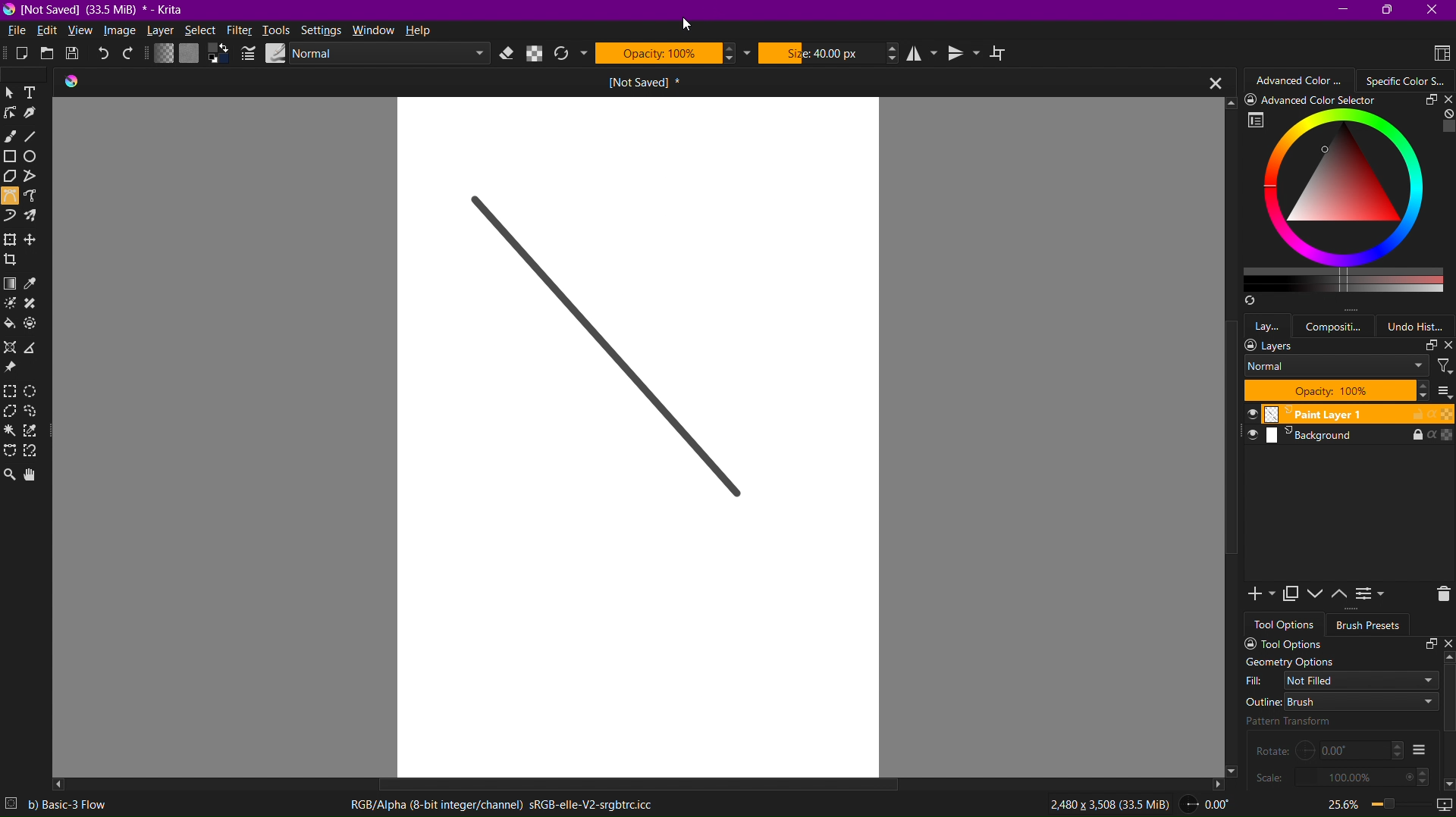 The width and height of the screenshot is (1456, 817). I want to click on Fill , so click(1342, 680).